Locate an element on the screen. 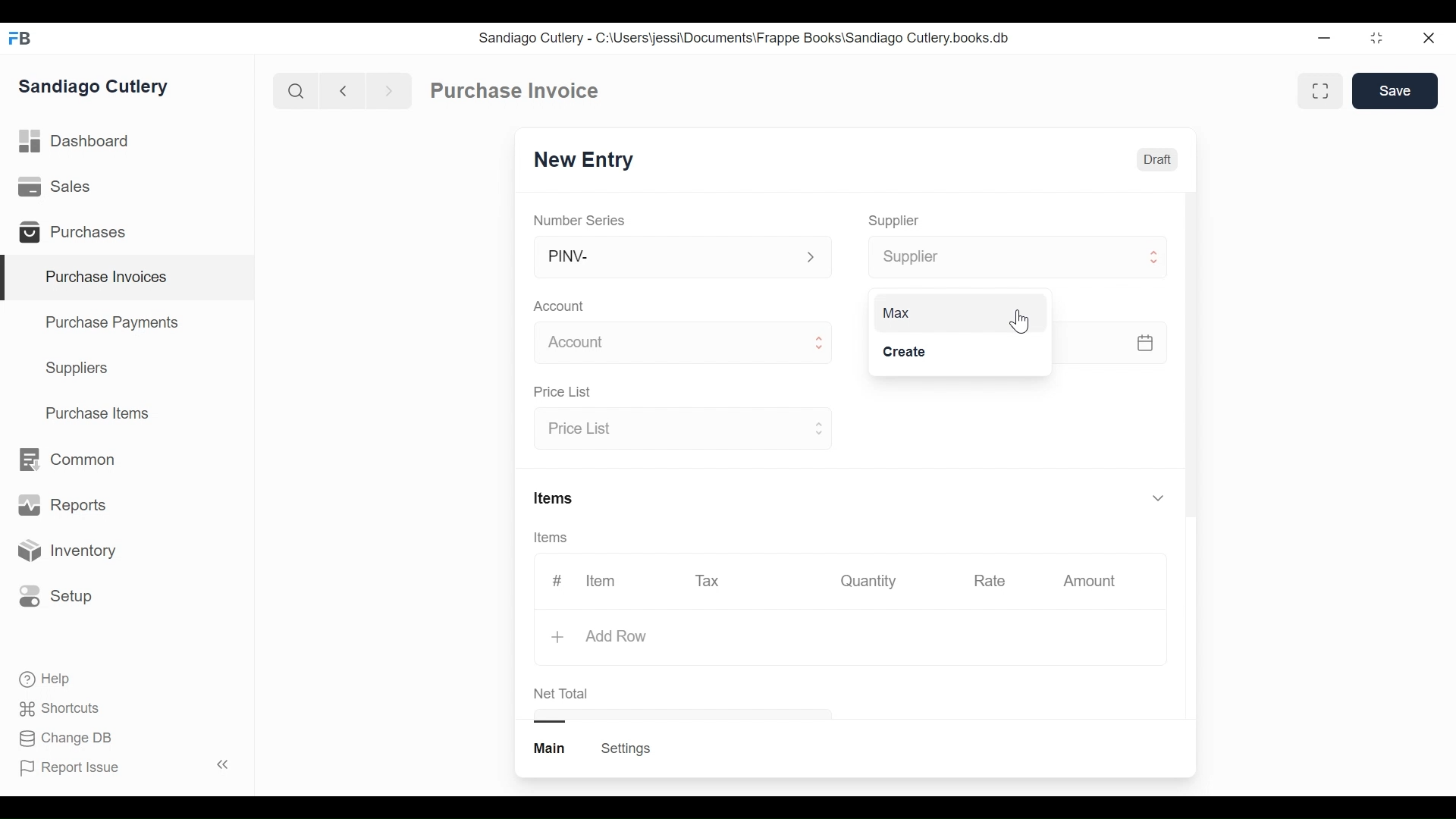 Image resolution: width=1456 pixels, height=819 pixels. Navigate forward is located at coordinates (388, 89).